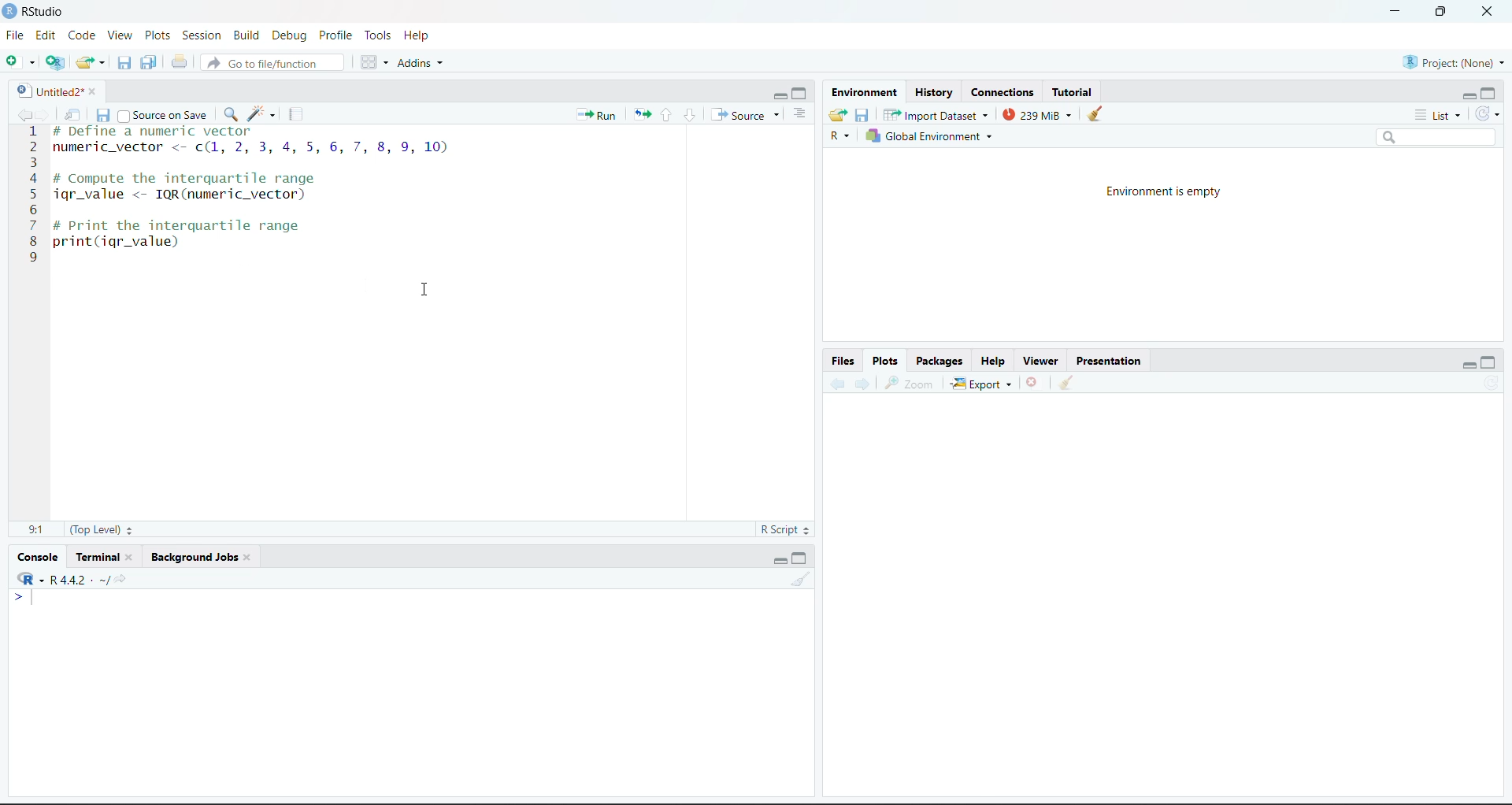 This screenshot has width=1512, height=805. Describe the element at coordinates (1395, 12) in the screenshot. I see `Minimize` at that location.